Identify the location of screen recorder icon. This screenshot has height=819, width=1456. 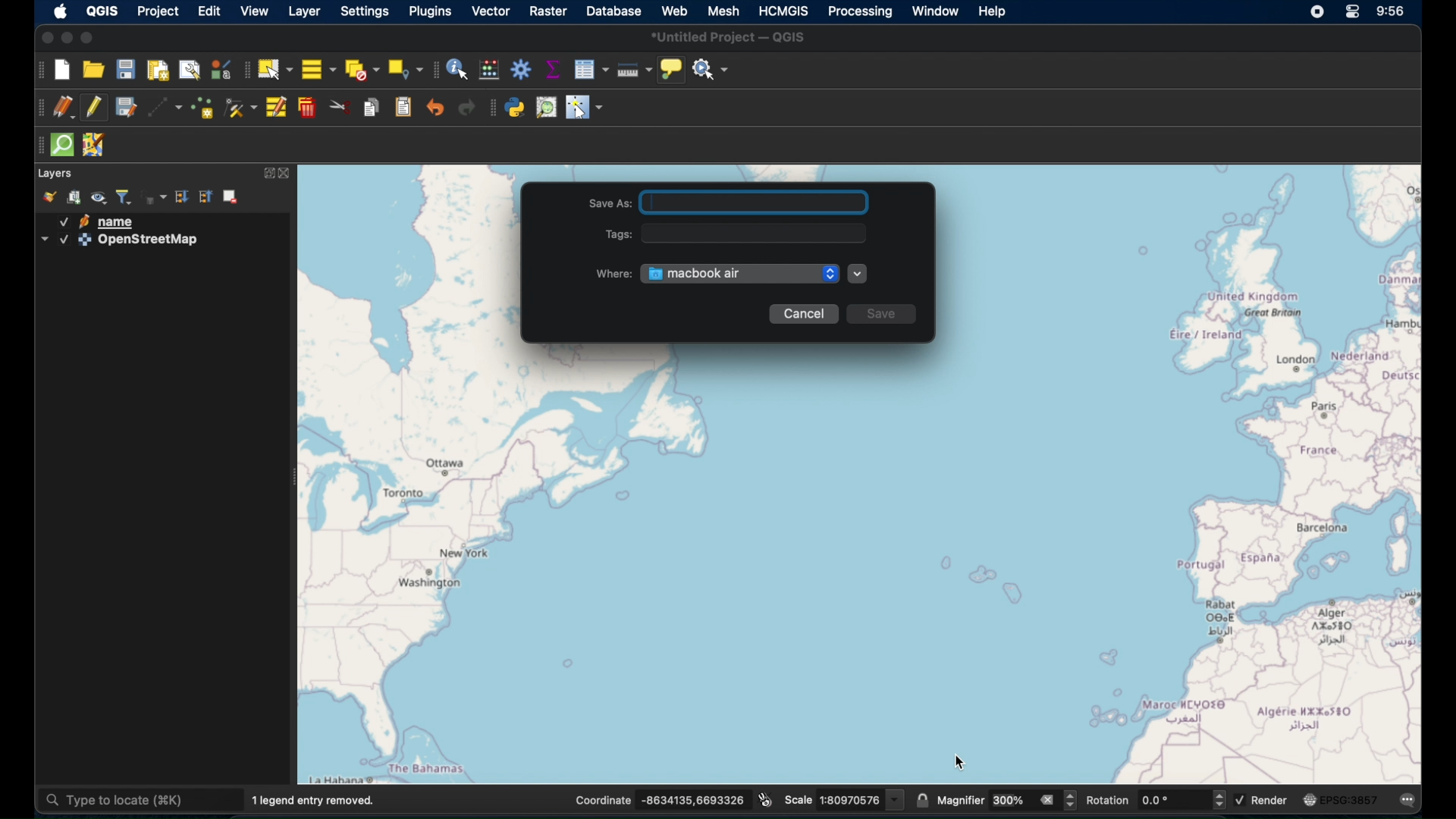
(1316, 13).